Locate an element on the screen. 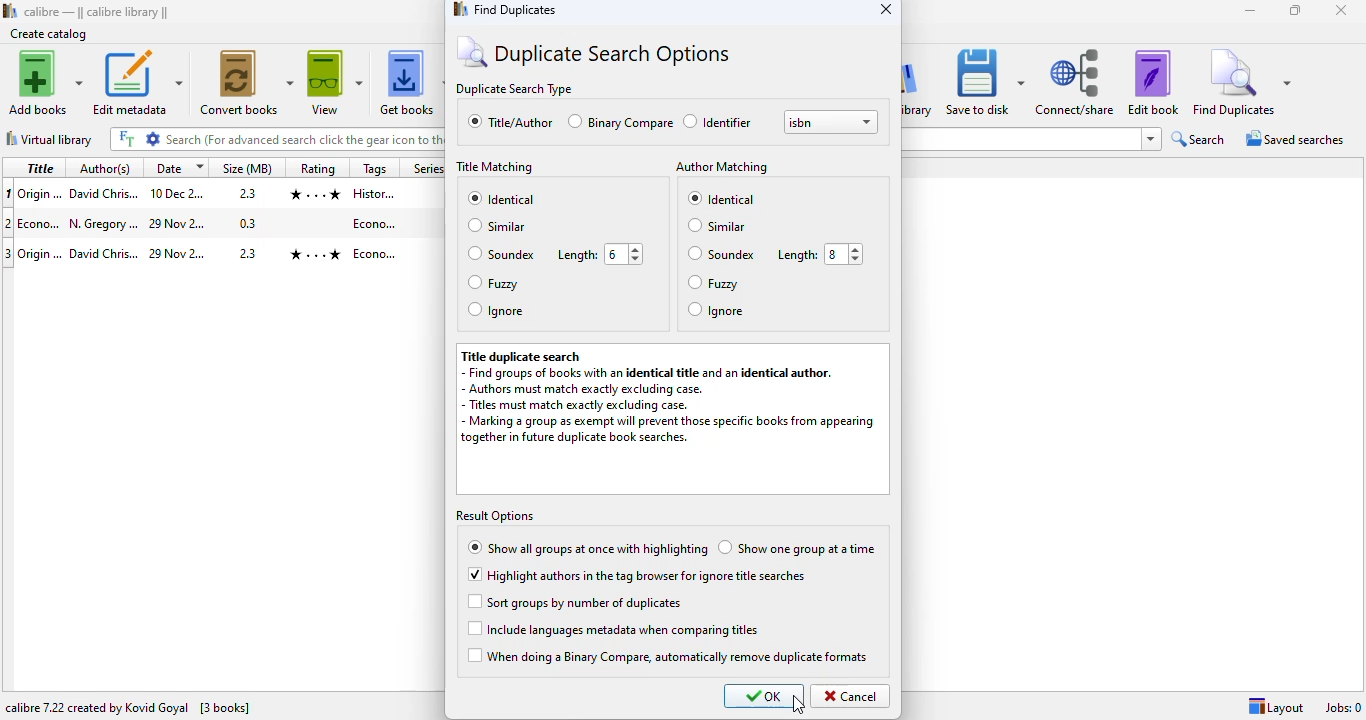  title/author is located at coordinates (510, 121).